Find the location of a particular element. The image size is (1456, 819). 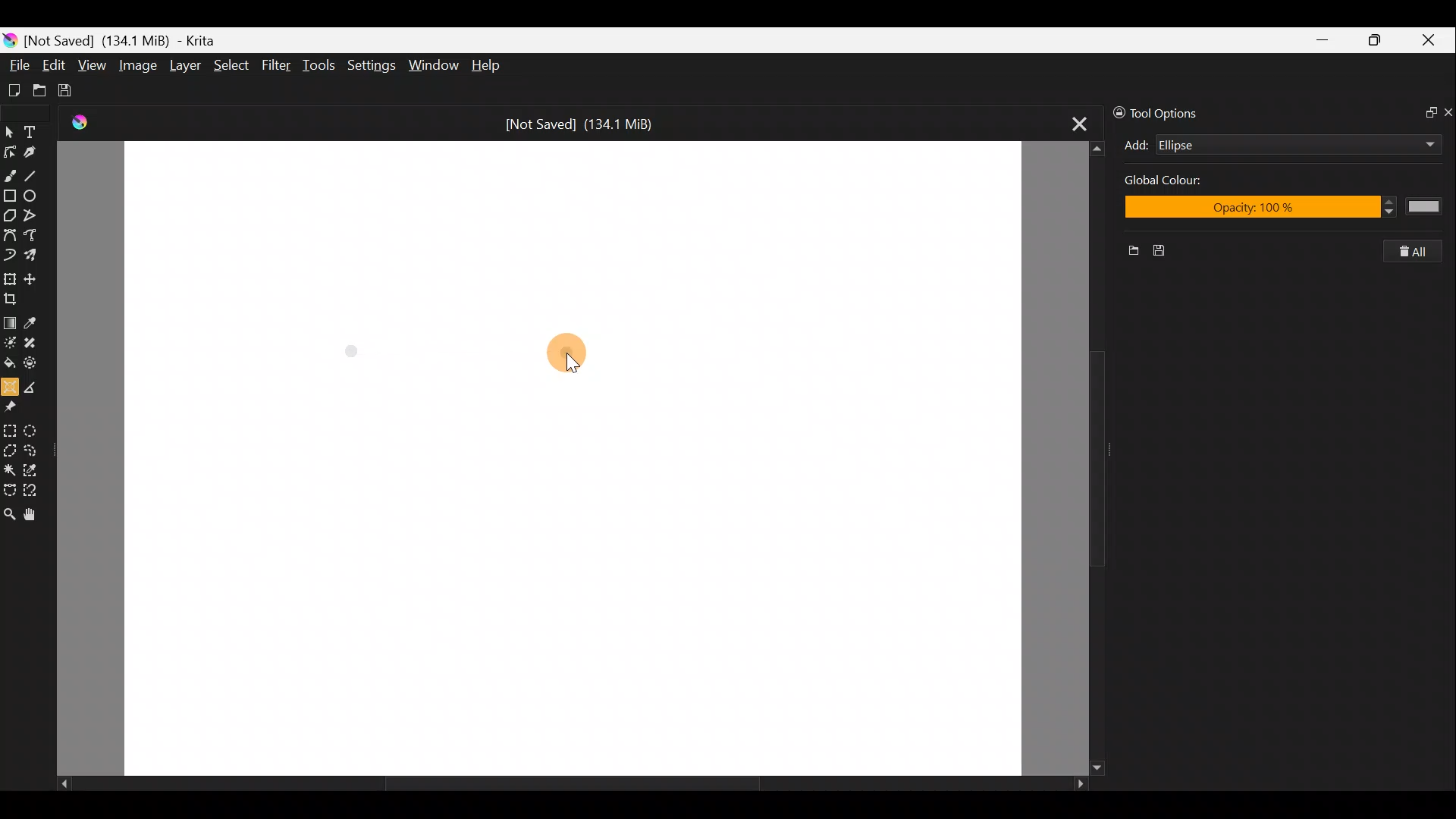

Pan tool is located at coordinates (30, 514).